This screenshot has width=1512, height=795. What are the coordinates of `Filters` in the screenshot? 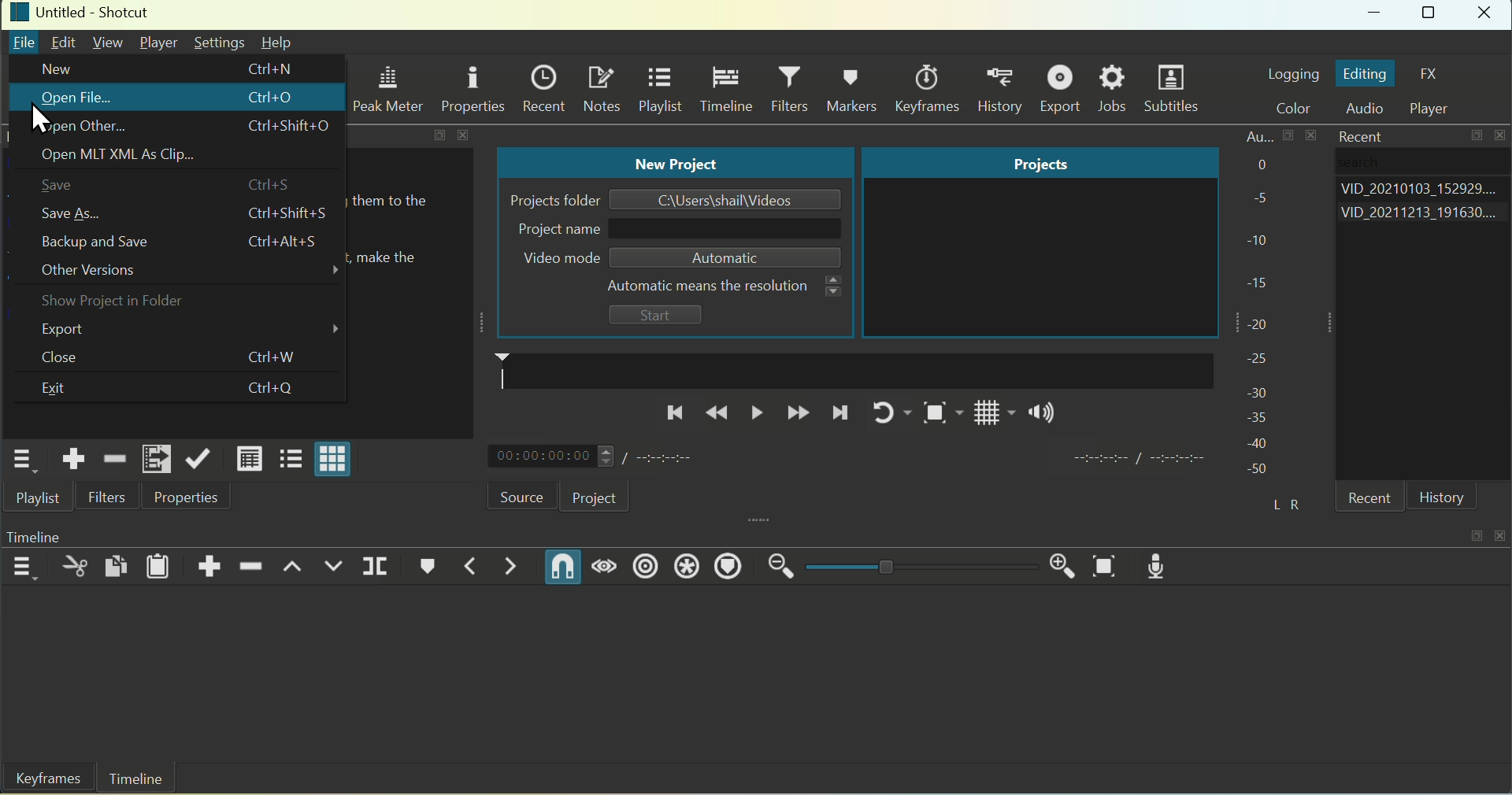 It's located at (792, 90).